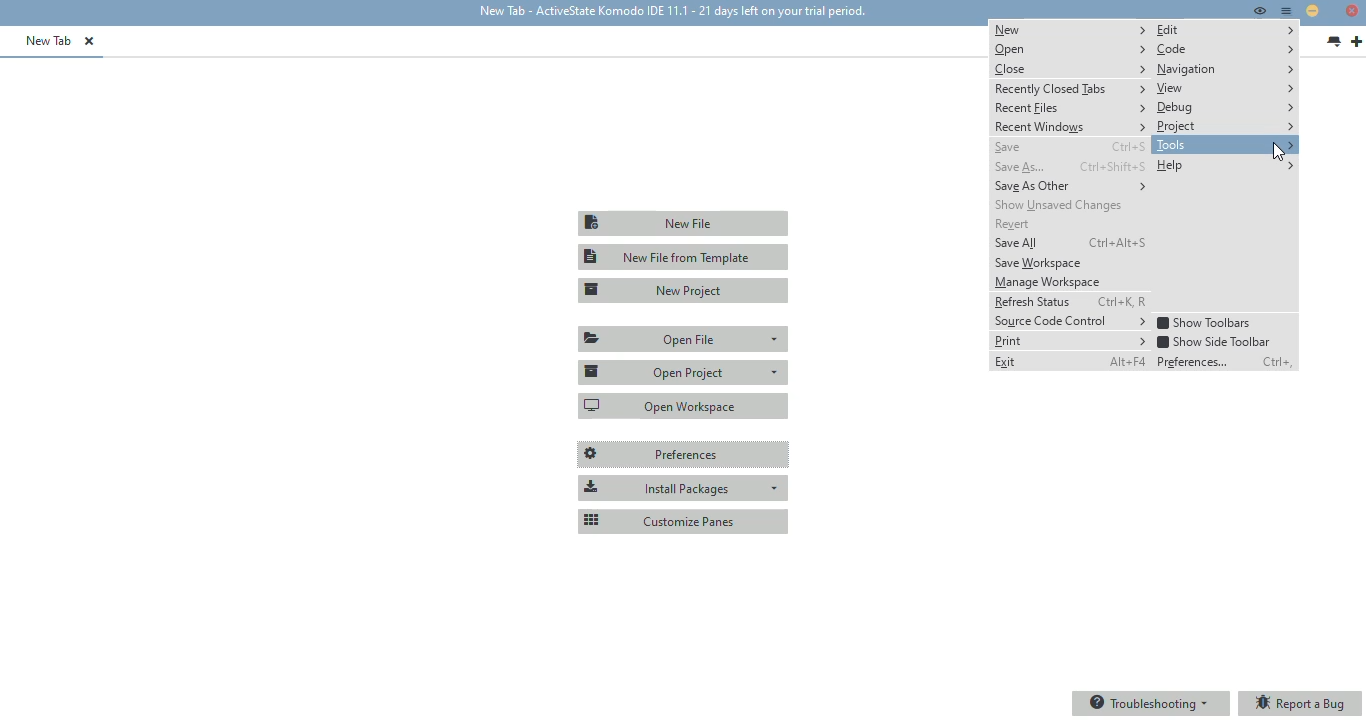 The width and height of the screenshot is (1366, 720). What do you see at coordinates (684, 455) in the screenshot?
I see `preferences` at bounding box center [684, 455].